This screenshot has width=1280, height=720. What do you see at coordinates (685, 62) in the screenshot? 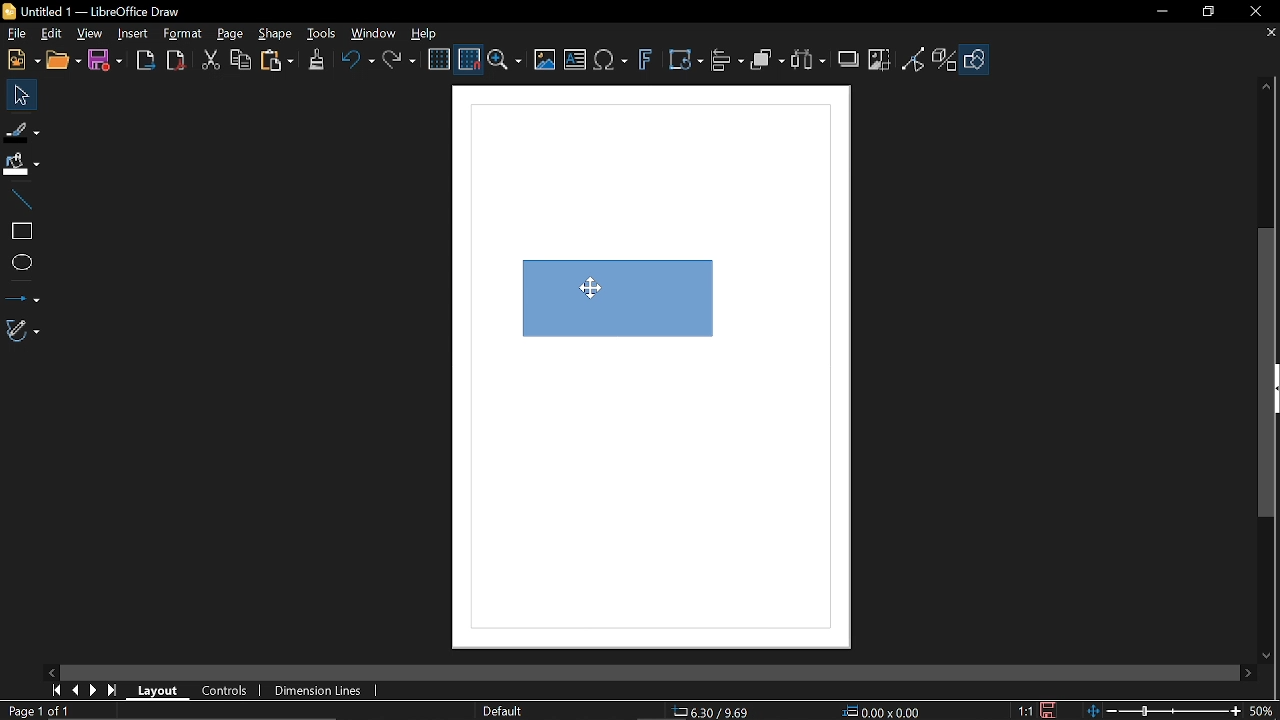
I see `Transformation` at bounding box center [685, 62].